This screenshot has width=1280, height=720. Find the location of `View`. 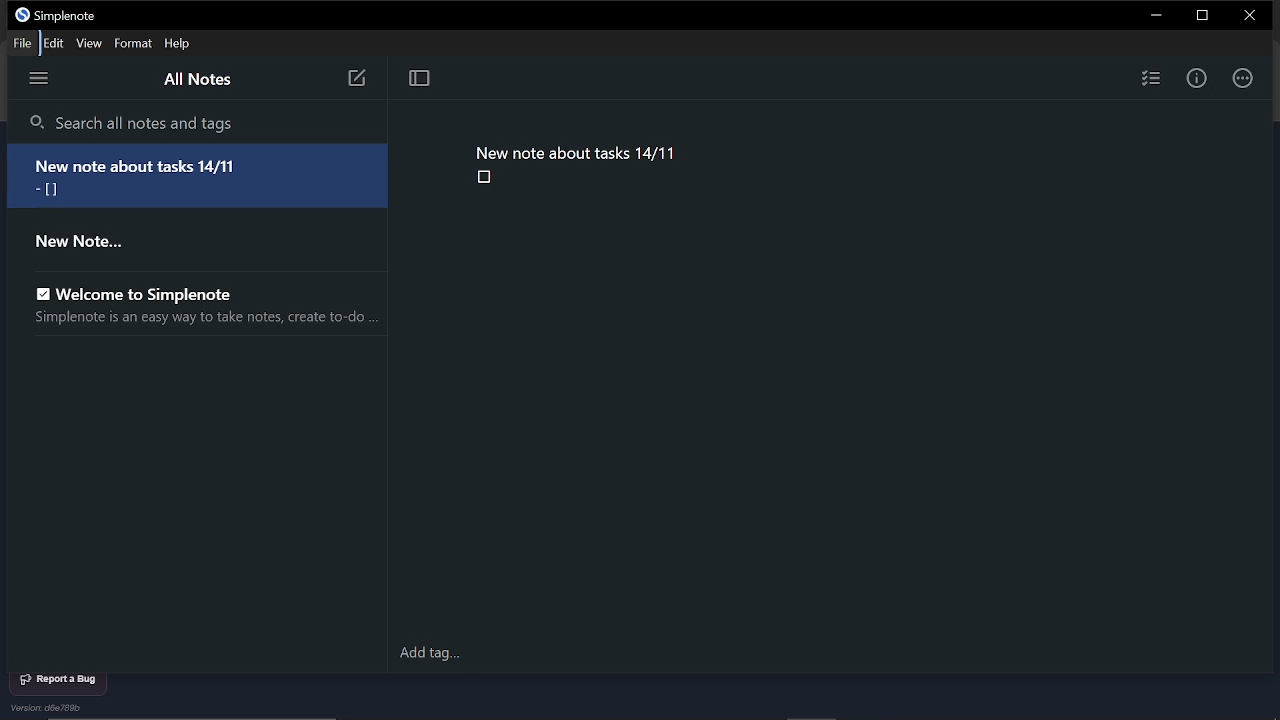

View is located at coordinates (91, 44).